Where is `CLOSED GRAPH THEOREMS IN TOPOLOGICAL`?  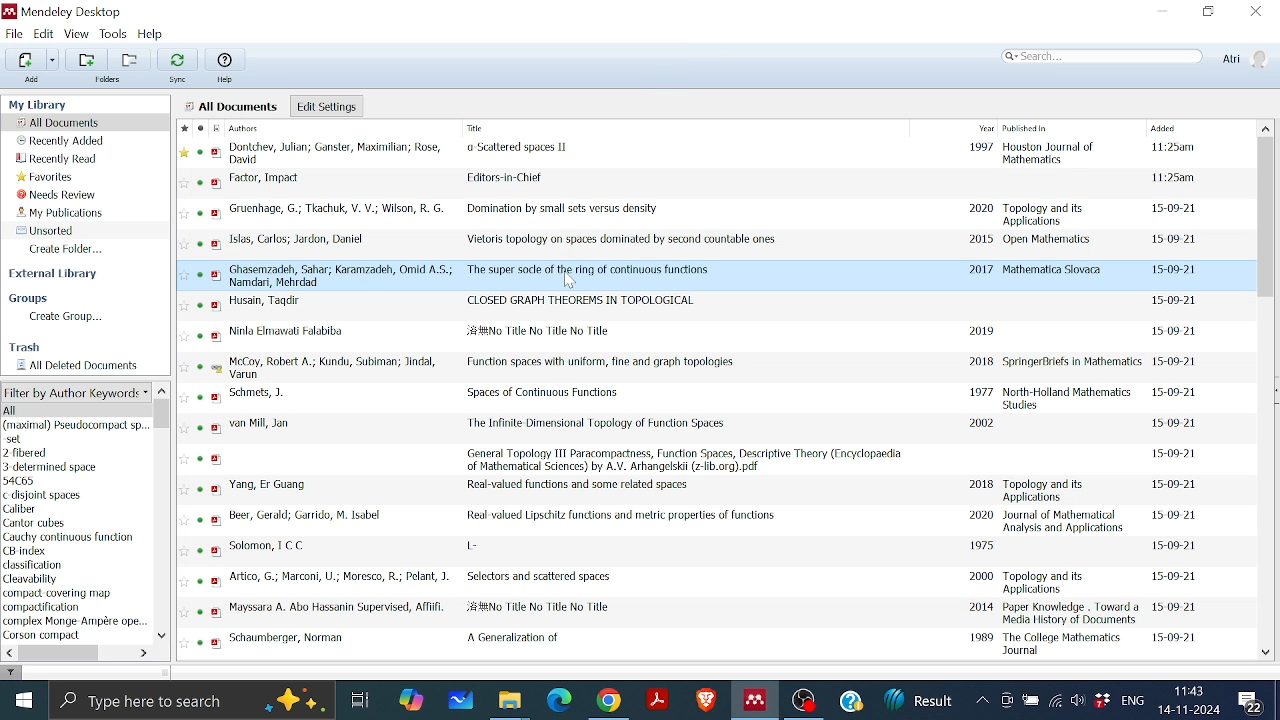
CLOSED GRAPH THEOREMS IN TOPOLOGICAL is located at coordinates (706, 306).